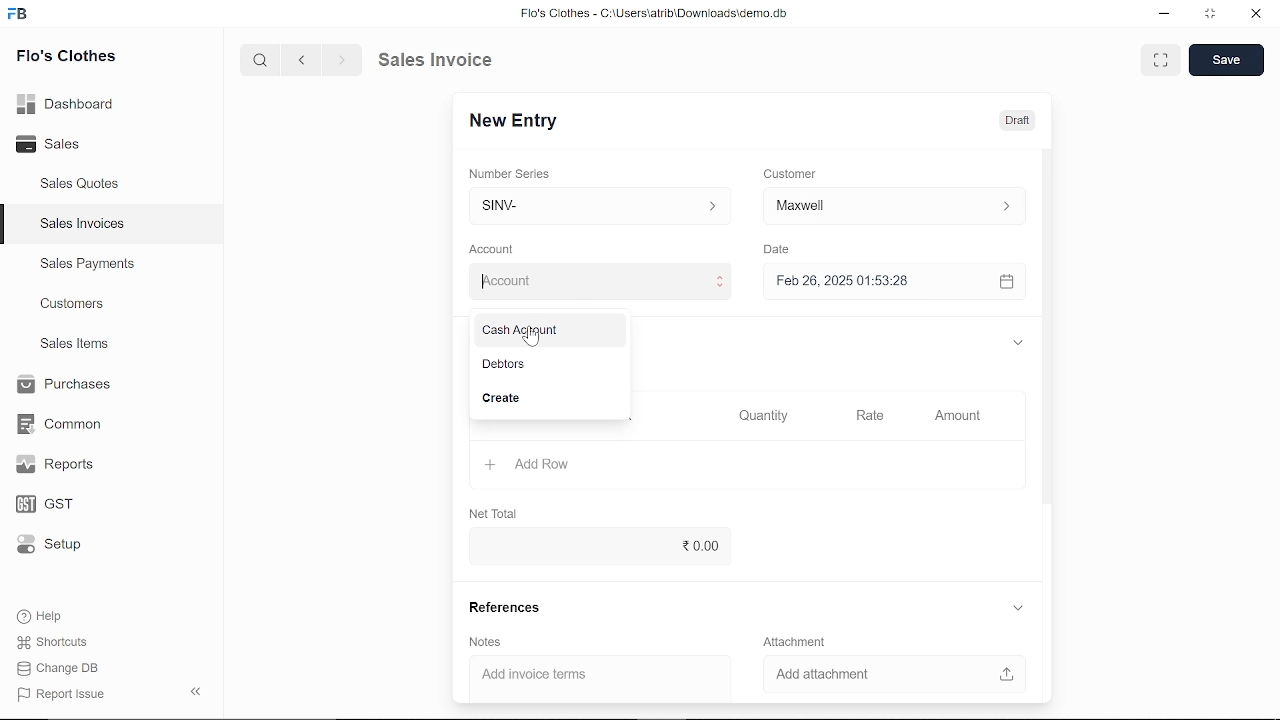  Describe the element at coordinates (512, 173) in the screenshot. I see `Number Series` at that location.